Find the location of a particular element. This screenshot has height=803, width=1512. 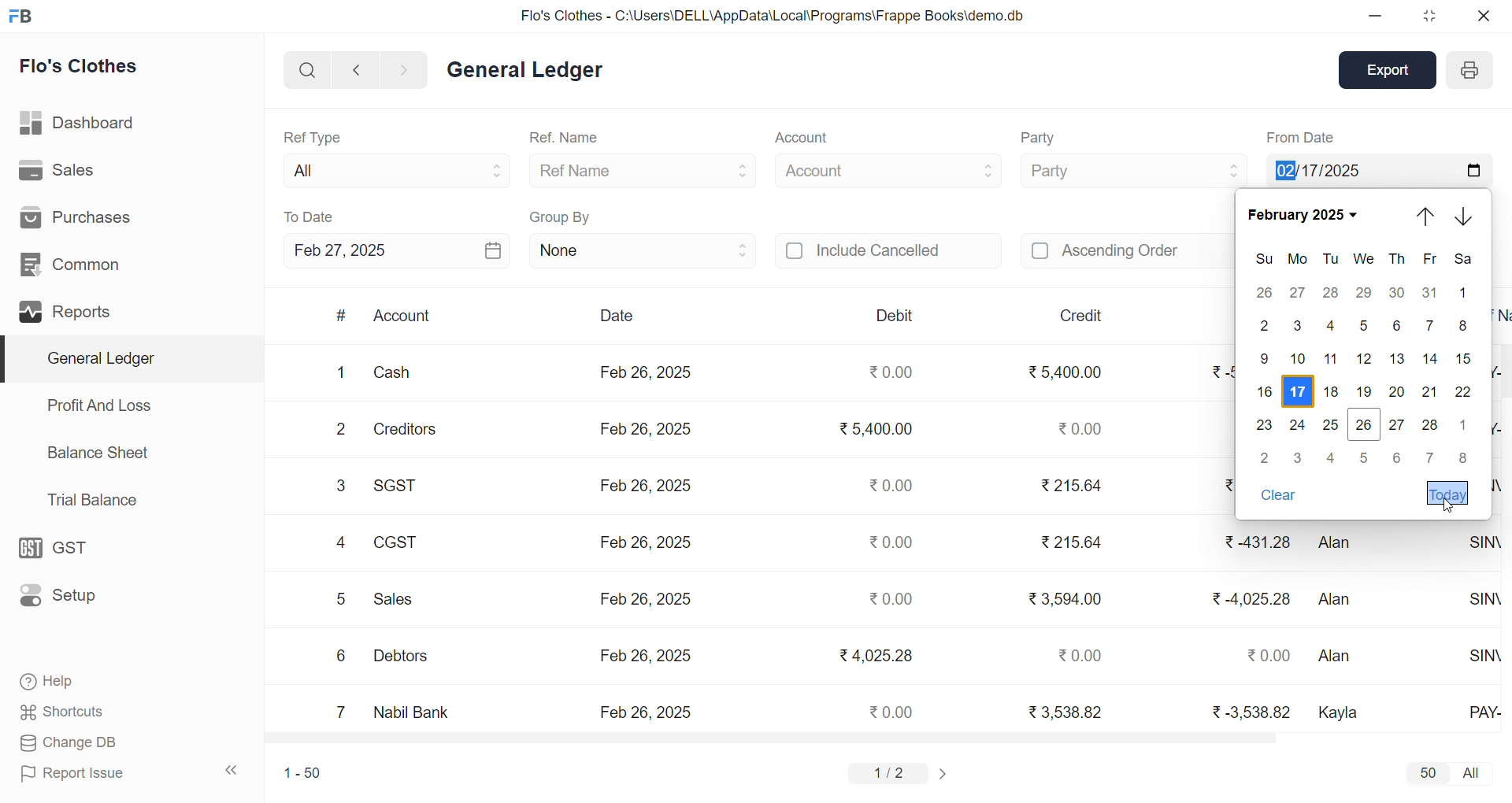

₹ 215.64 is located at coordinates (1072, 544).